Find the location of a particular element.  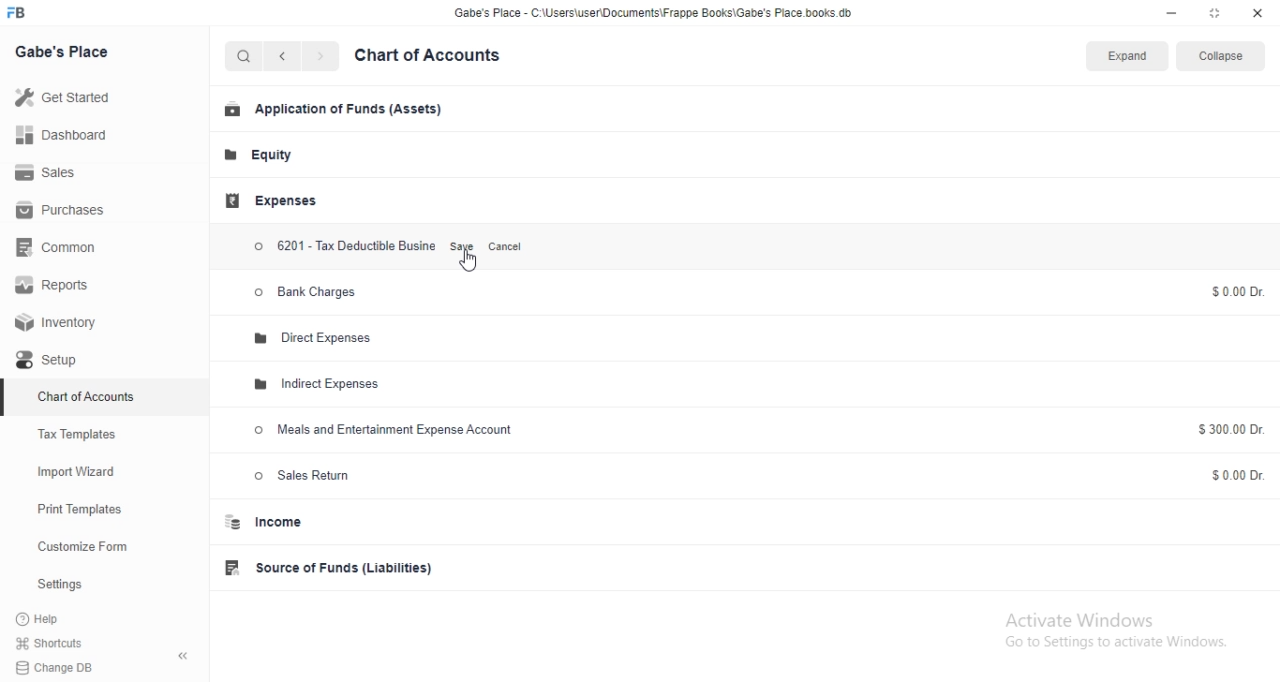

Setup is located at coordinates (68, 360).